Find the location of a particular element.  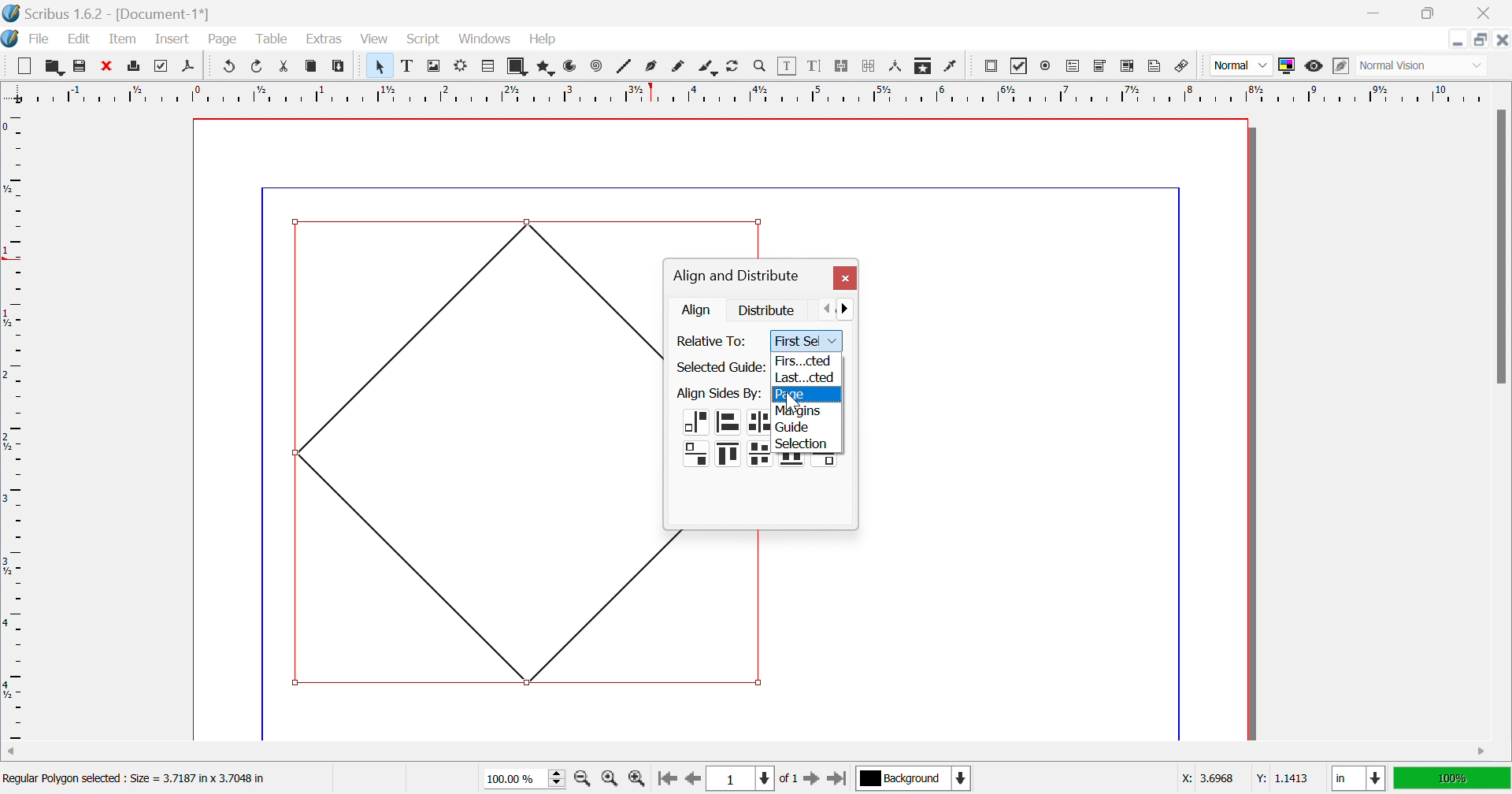

Item is located at coordinates (123, 38).